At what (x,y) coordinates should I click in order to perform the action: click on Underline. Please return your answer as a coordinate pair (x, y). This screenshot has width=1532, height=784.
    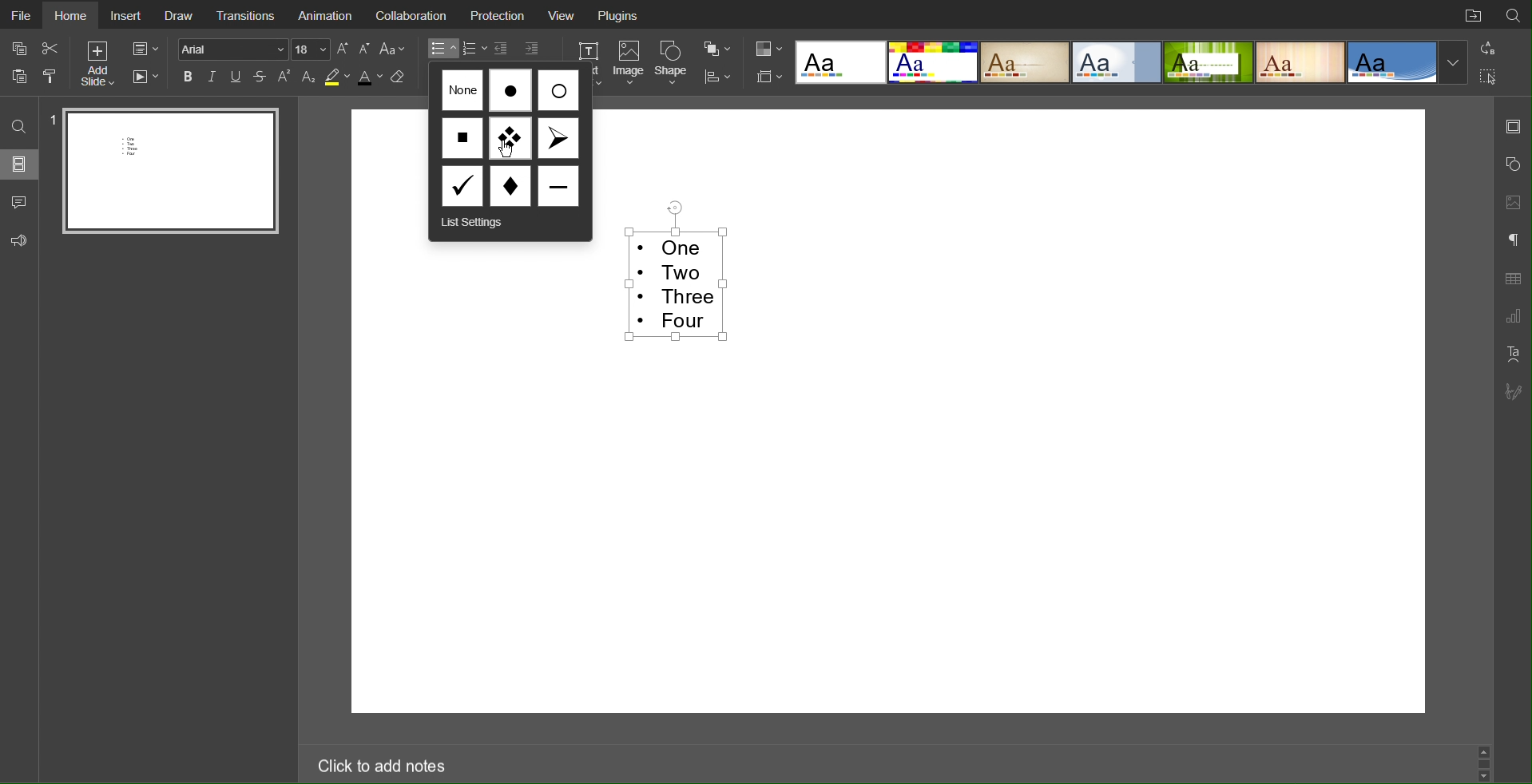
    Looking at the image, I should click on (237, 77).